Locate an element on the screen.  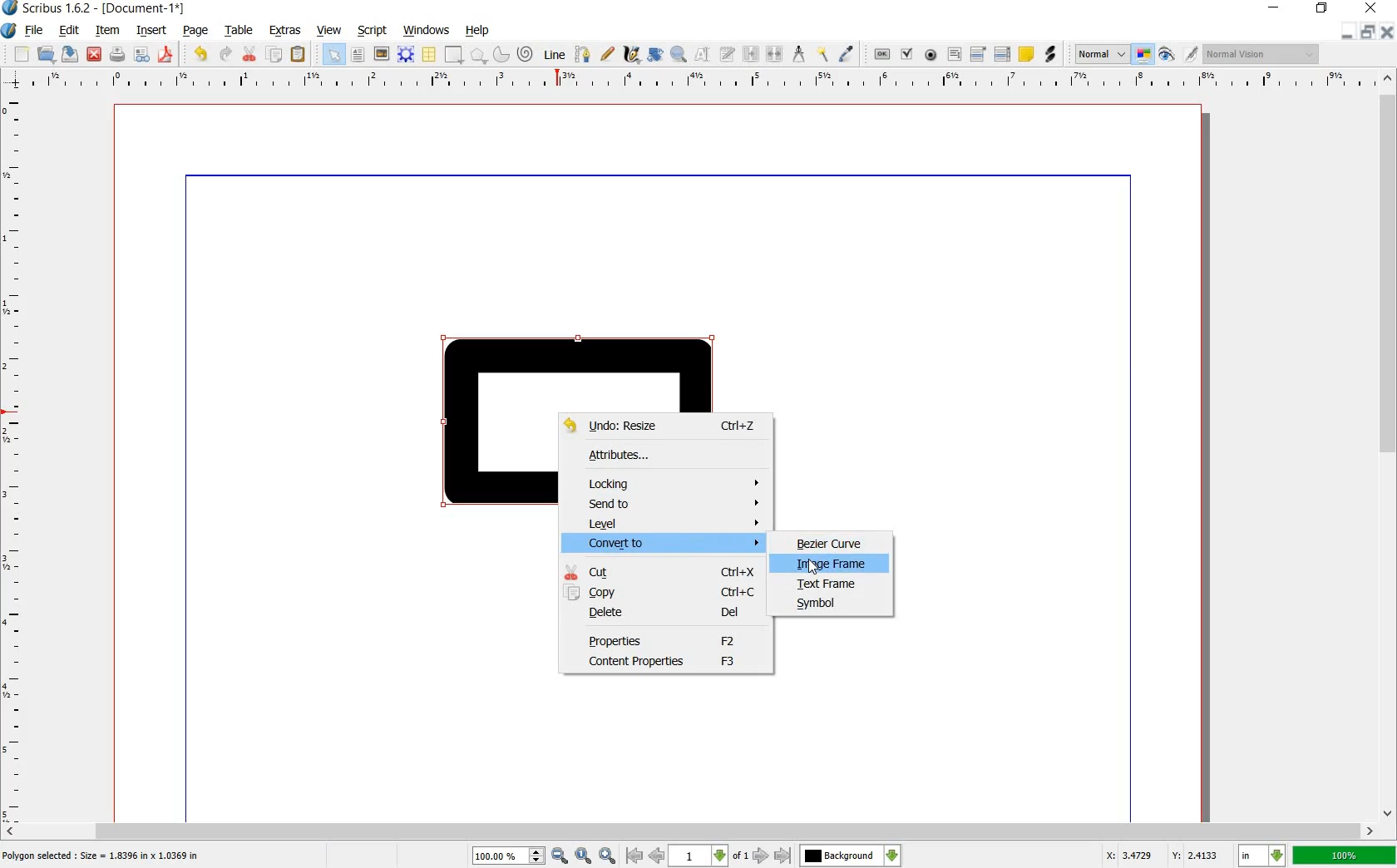
minimize is located at coordinates (1275, 8).